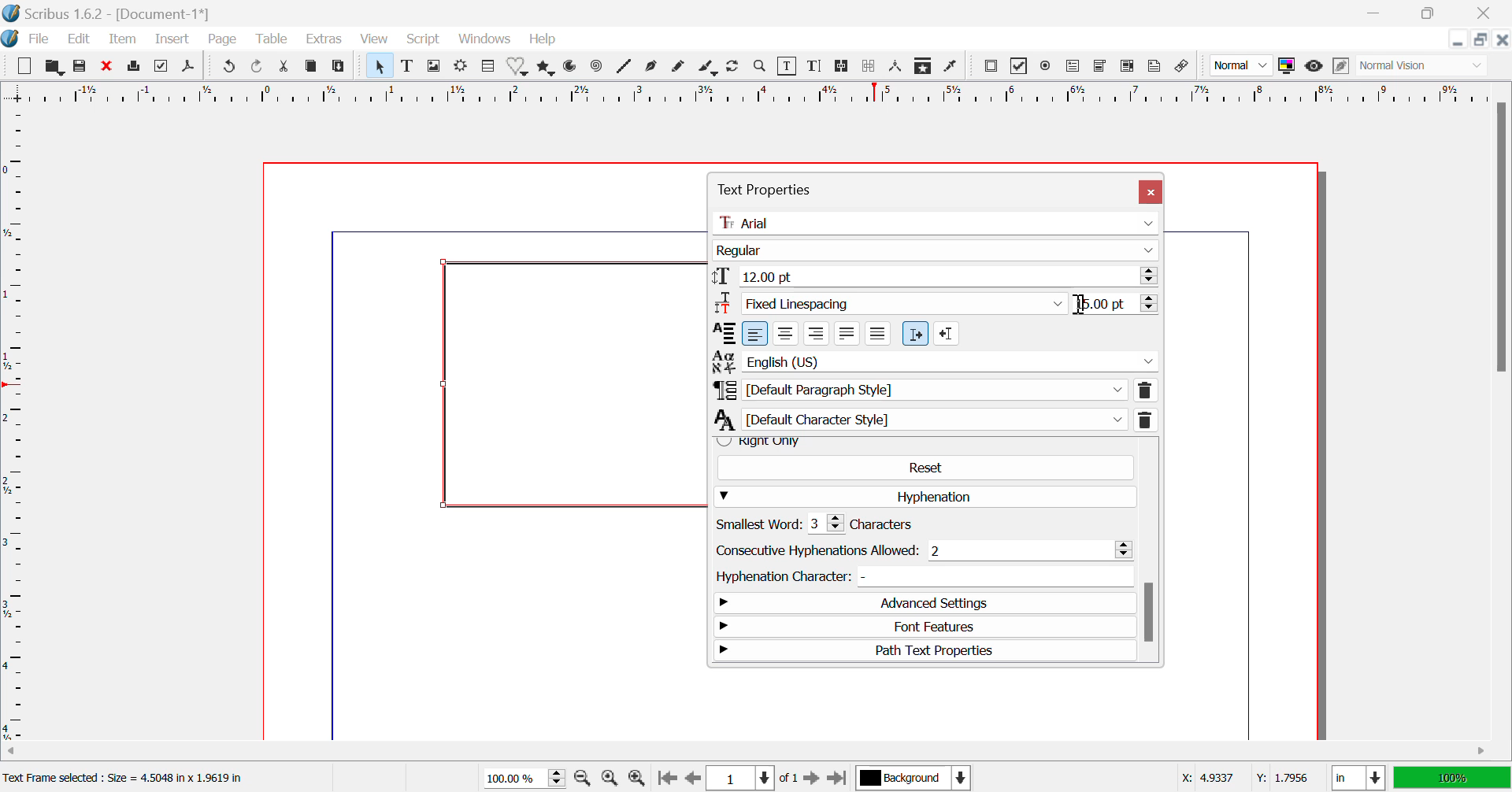 The height and width of the screenshot is (792, 1512). Describe the element at coordinates (1289, 67) in the screenshot. I see `Toggle Color Display` at that location.